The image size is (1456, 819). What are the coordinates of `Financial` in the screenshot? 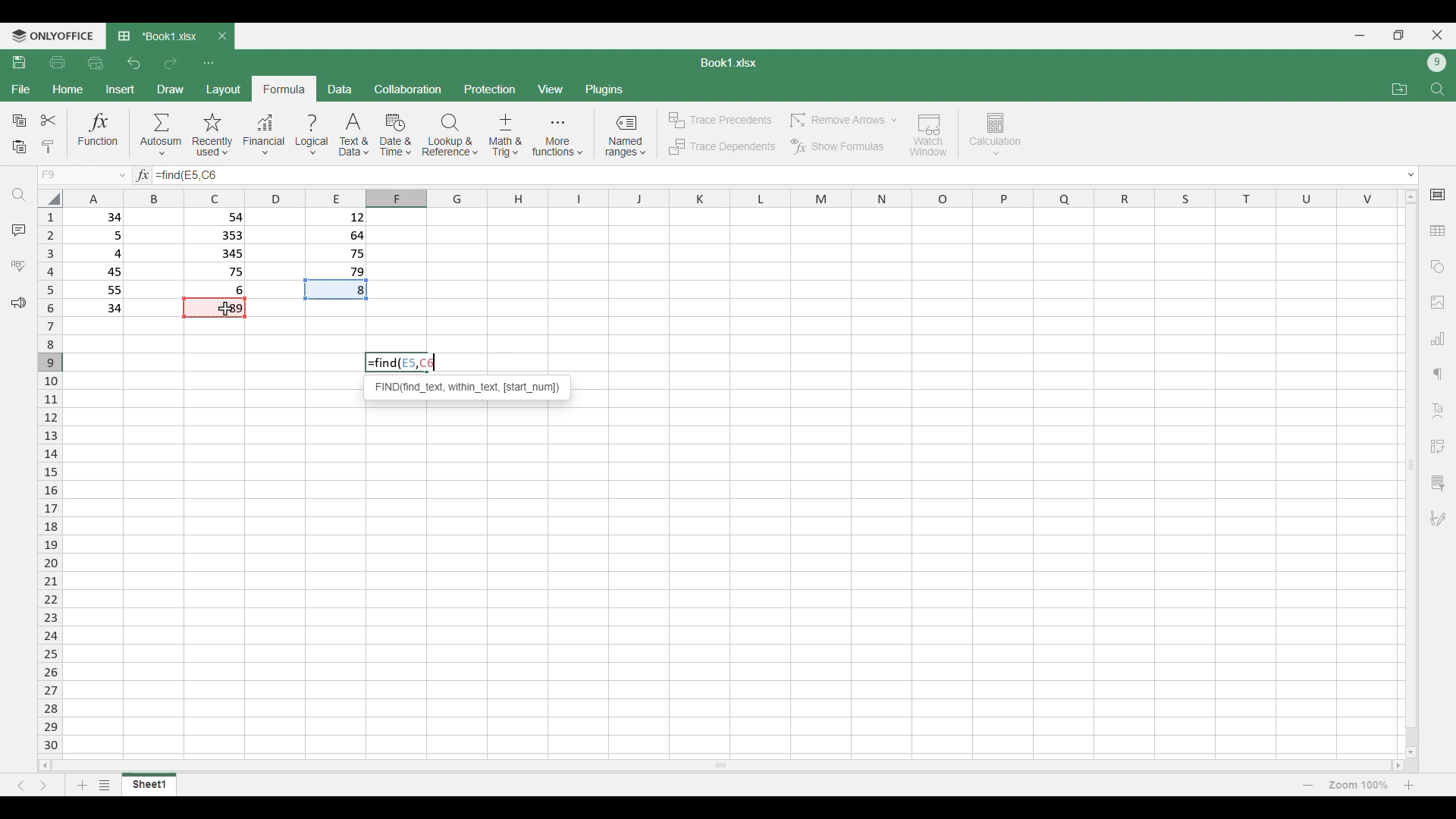 It's located at (264, 136).